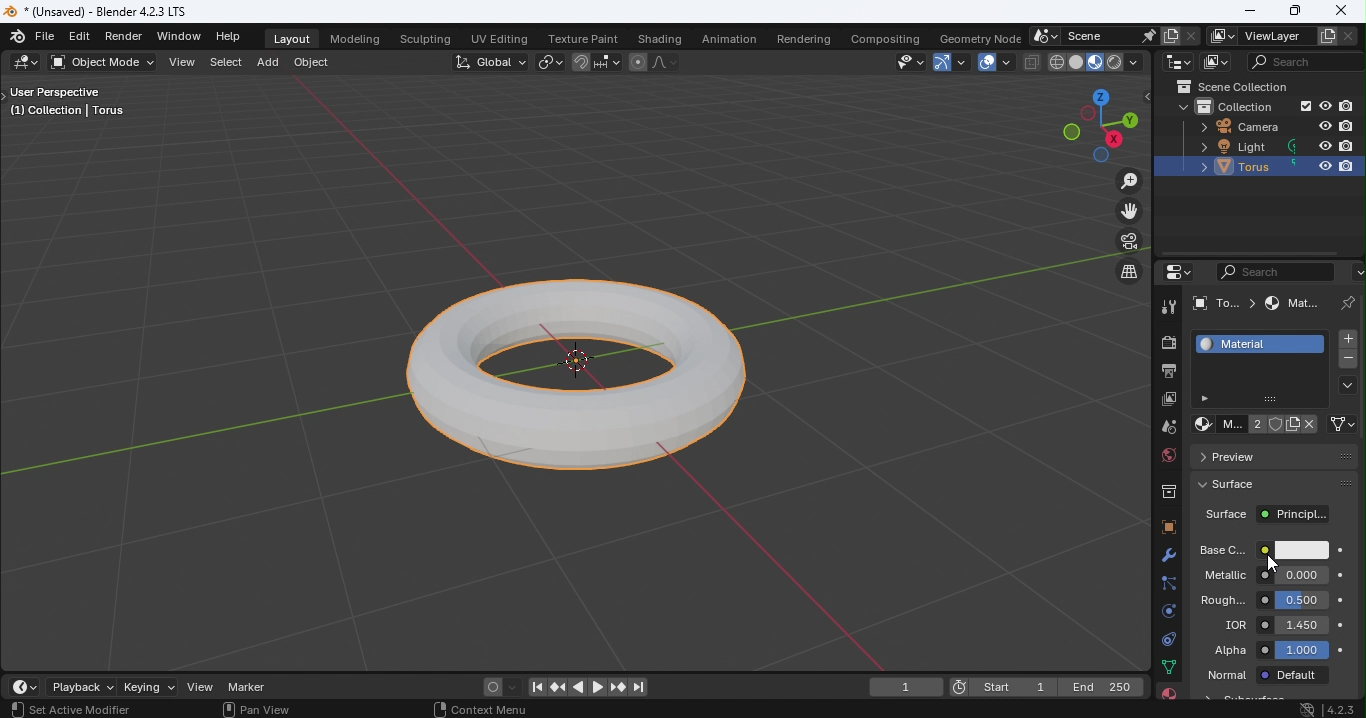 The height and width of the screenshot is (718, 1366). I want to click on Snap, so click(579, 61).